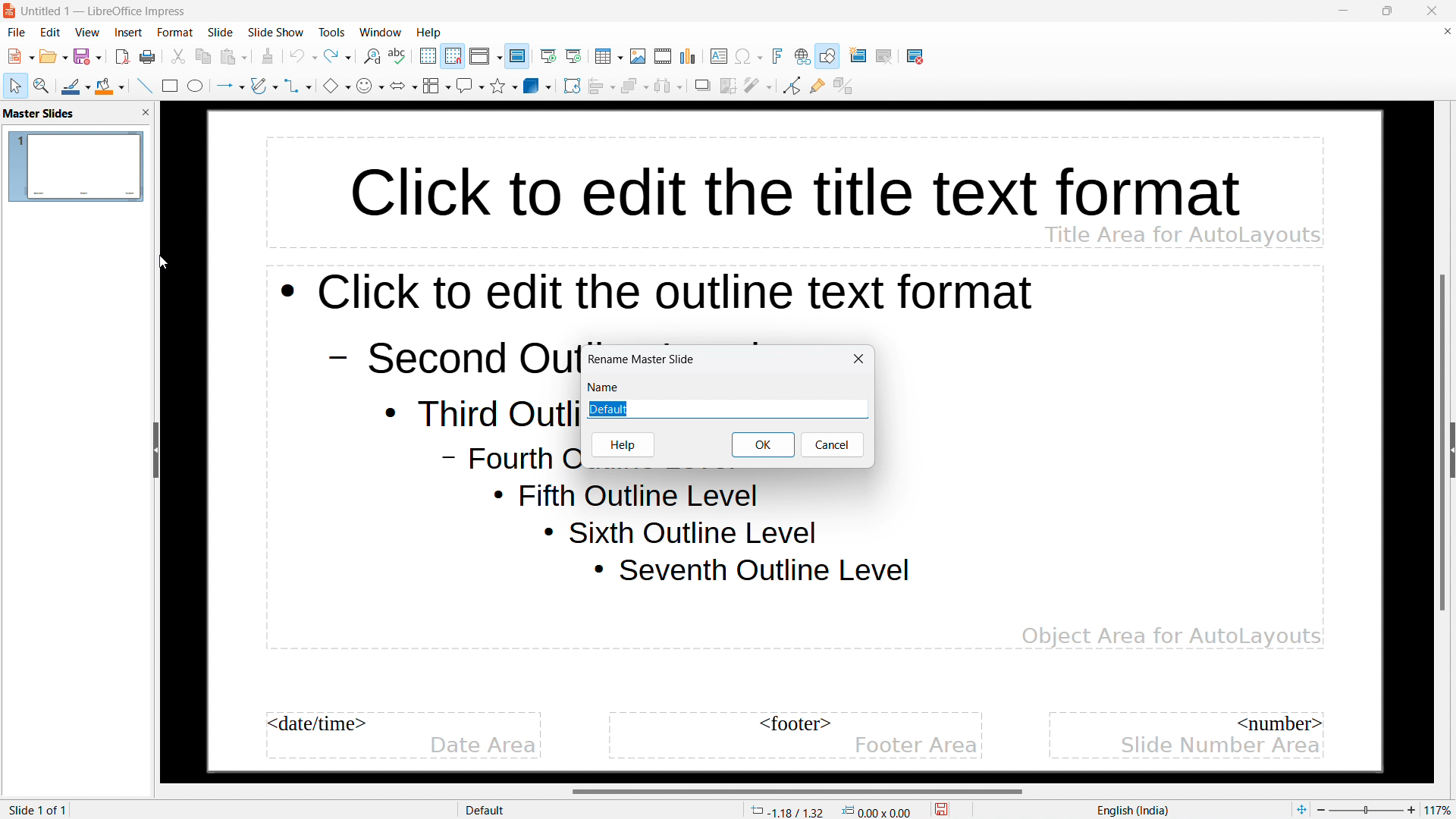 Image resolution: width=1456 pixels, height=819 pixels. What do you see at coordinates (689, 56) in the screenshot?
I see `insert chart` at bounding box center [689, 56].